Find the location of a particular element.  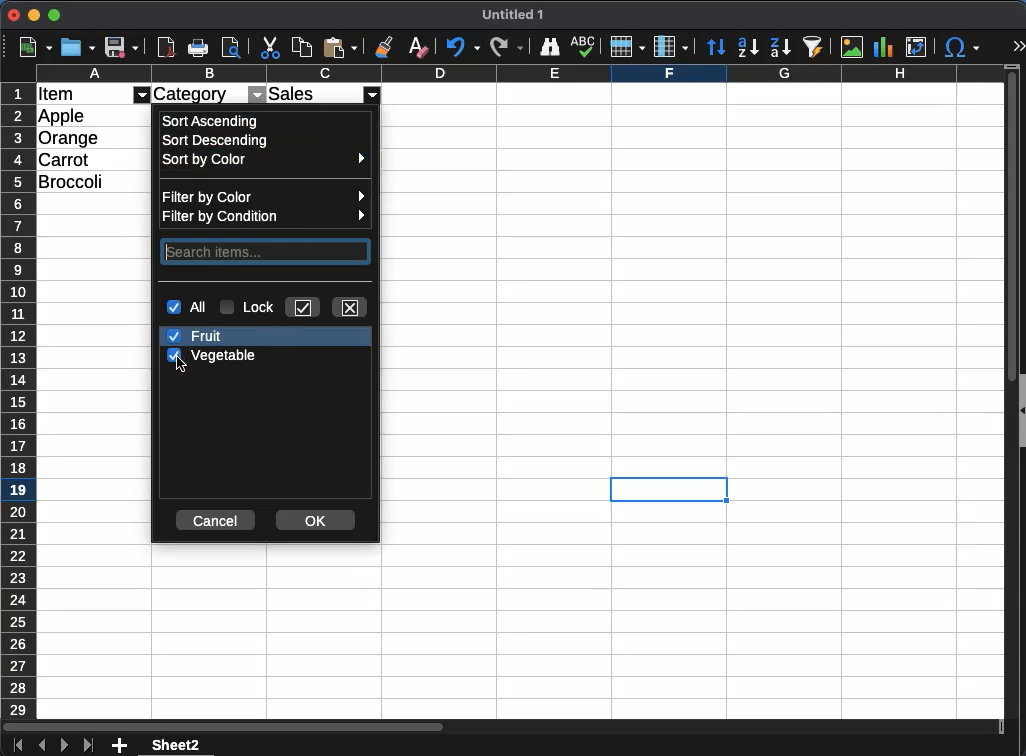

all is located at coordinates (190, 307).